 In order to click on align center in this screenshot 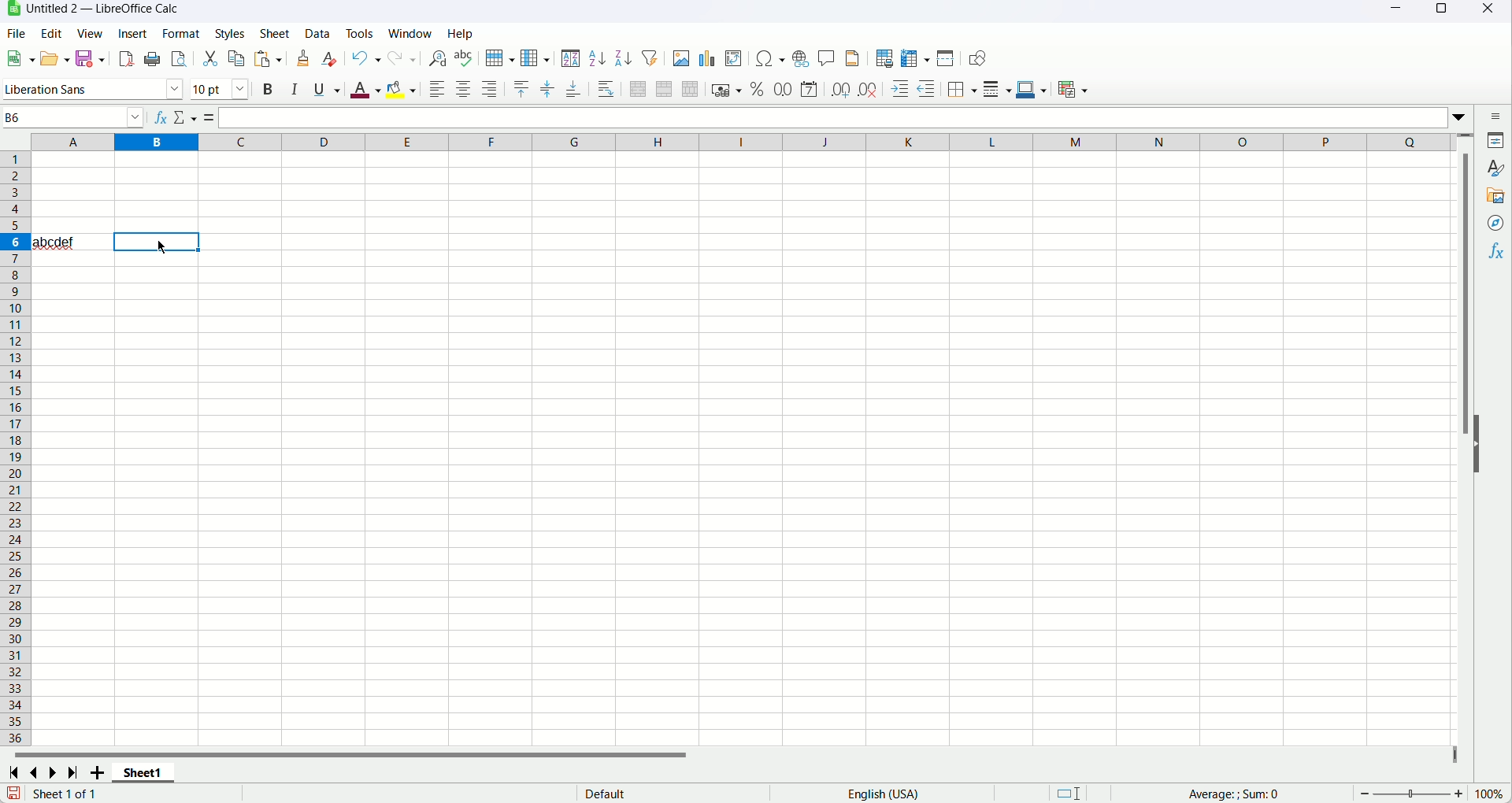, I will do `click(464, 88)`.